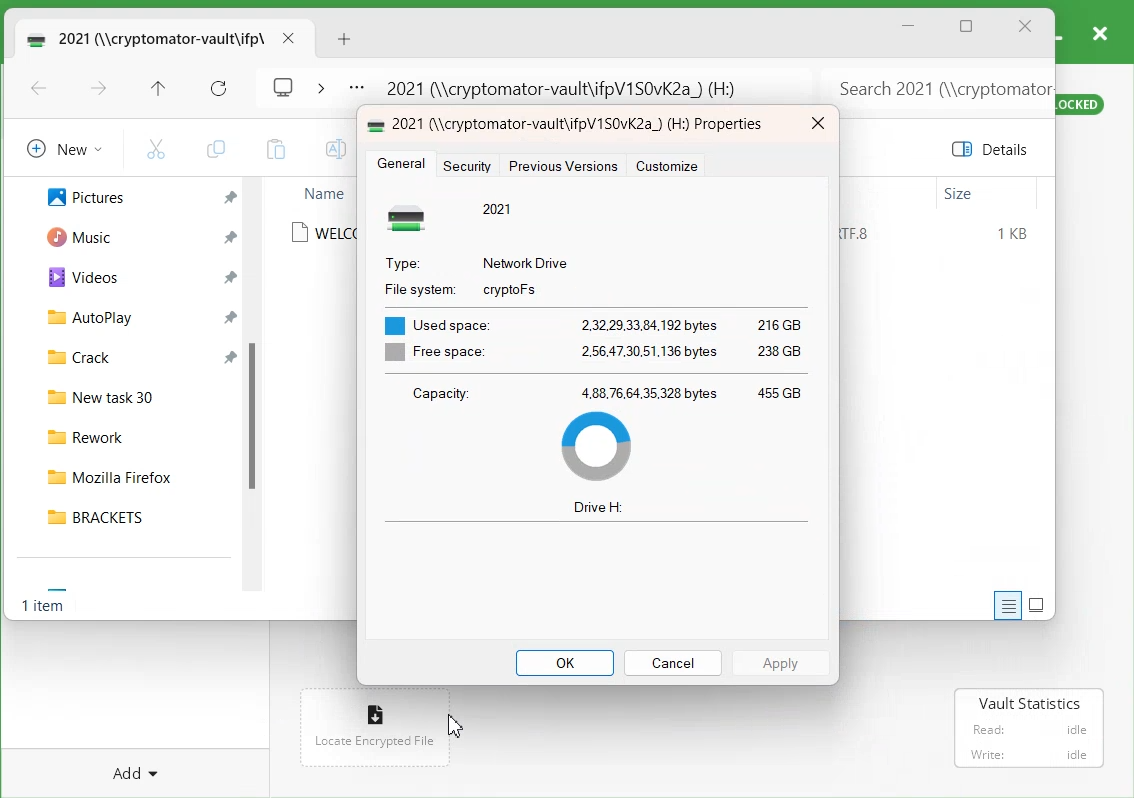  Describe the element at coordinates (401, 165) in the screenshot. I see `General` at that location.